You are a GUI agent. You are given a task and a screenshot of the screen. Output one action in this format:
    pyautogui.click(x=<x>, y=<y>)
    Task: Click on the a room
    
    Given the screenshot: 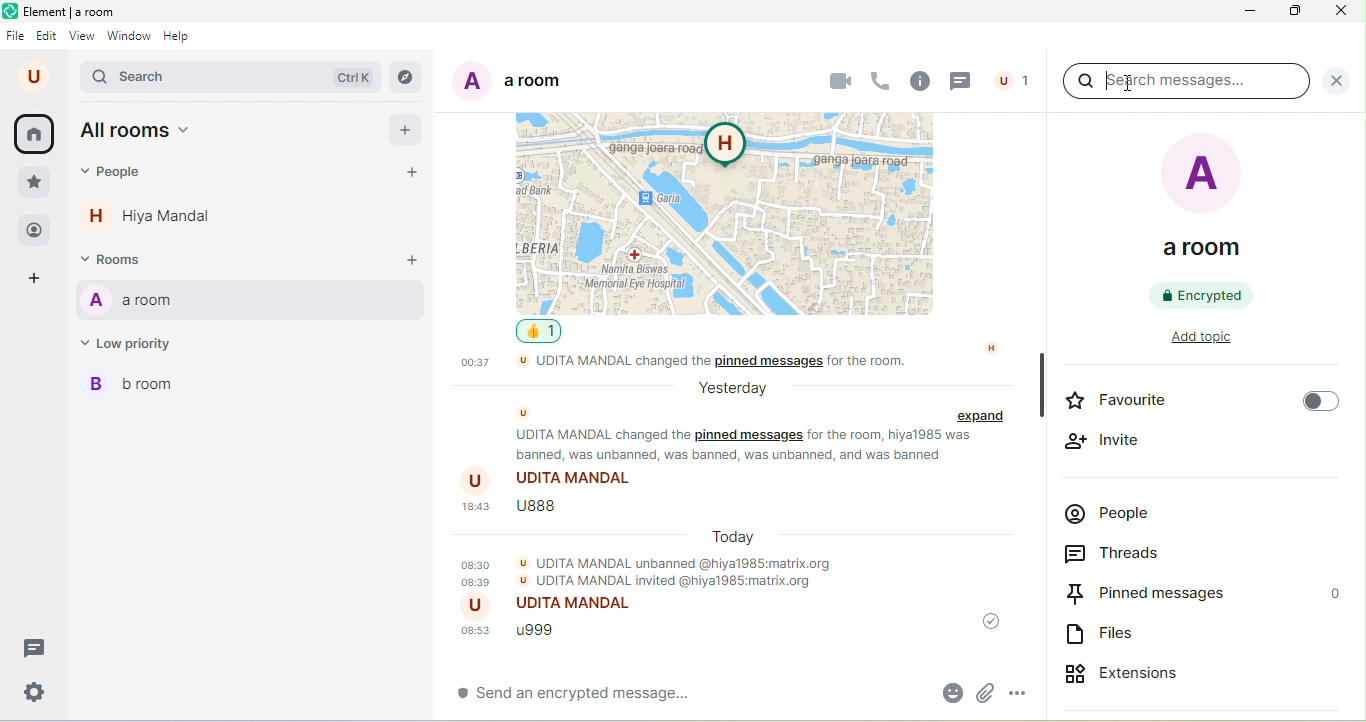 What is the action you would take?
    pyautogui.click(x=250, y=302)
    